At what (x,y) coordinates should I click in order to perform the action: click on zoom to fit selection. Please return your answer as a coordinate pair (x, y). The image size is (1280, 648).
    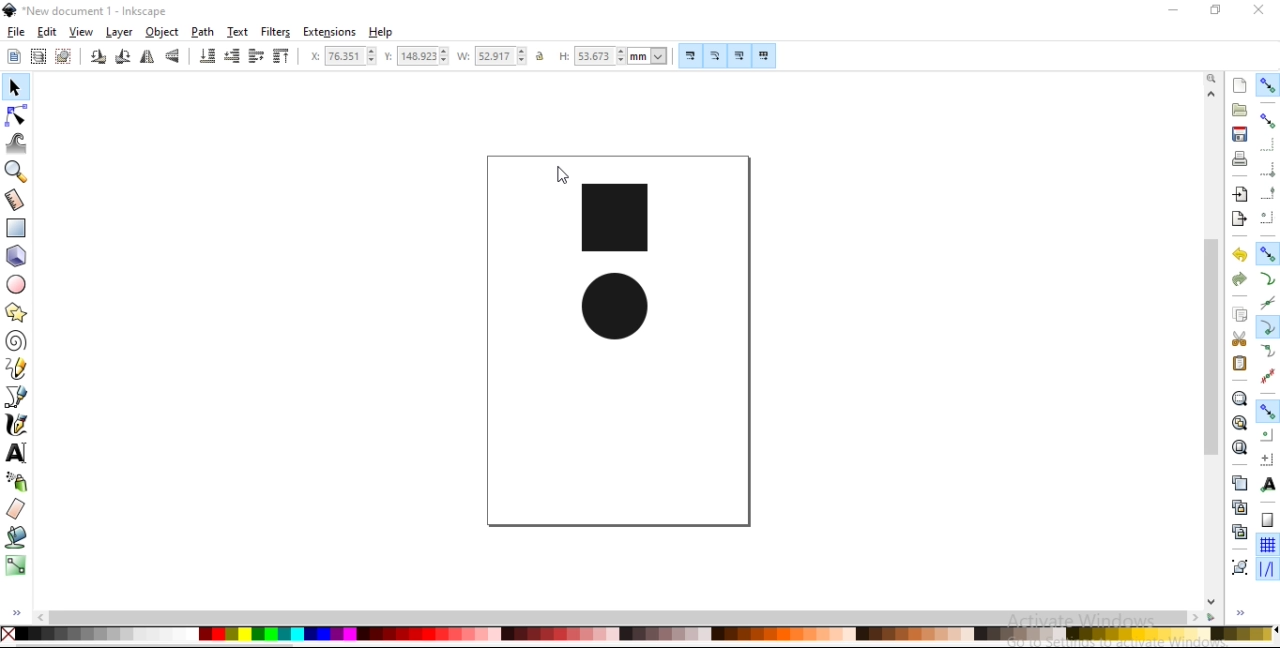
    Looking at the image, I should click on (1239, 399).